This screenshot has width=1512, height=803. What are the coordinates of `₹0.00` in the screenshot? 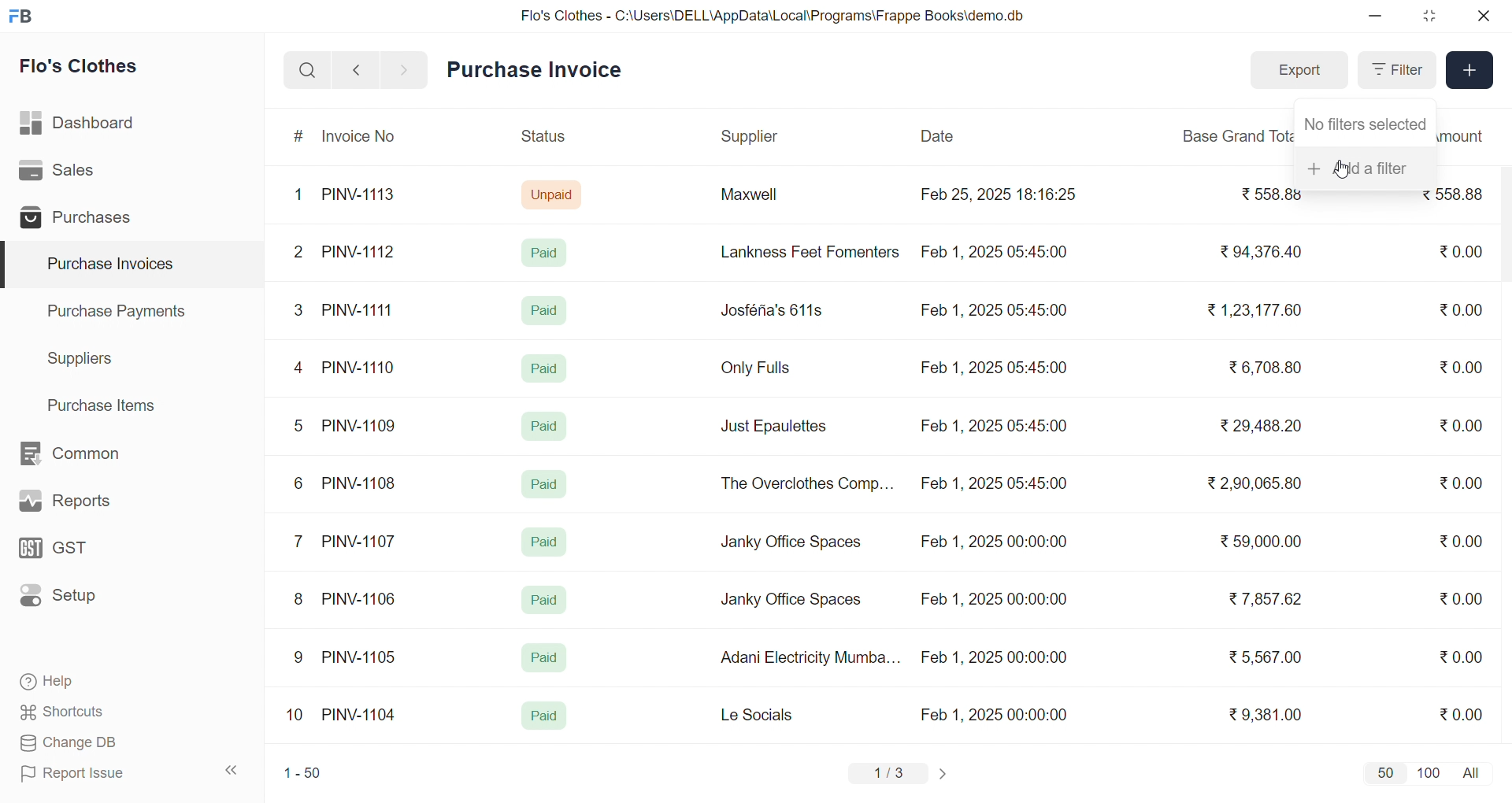 It's located at (1466, 539).